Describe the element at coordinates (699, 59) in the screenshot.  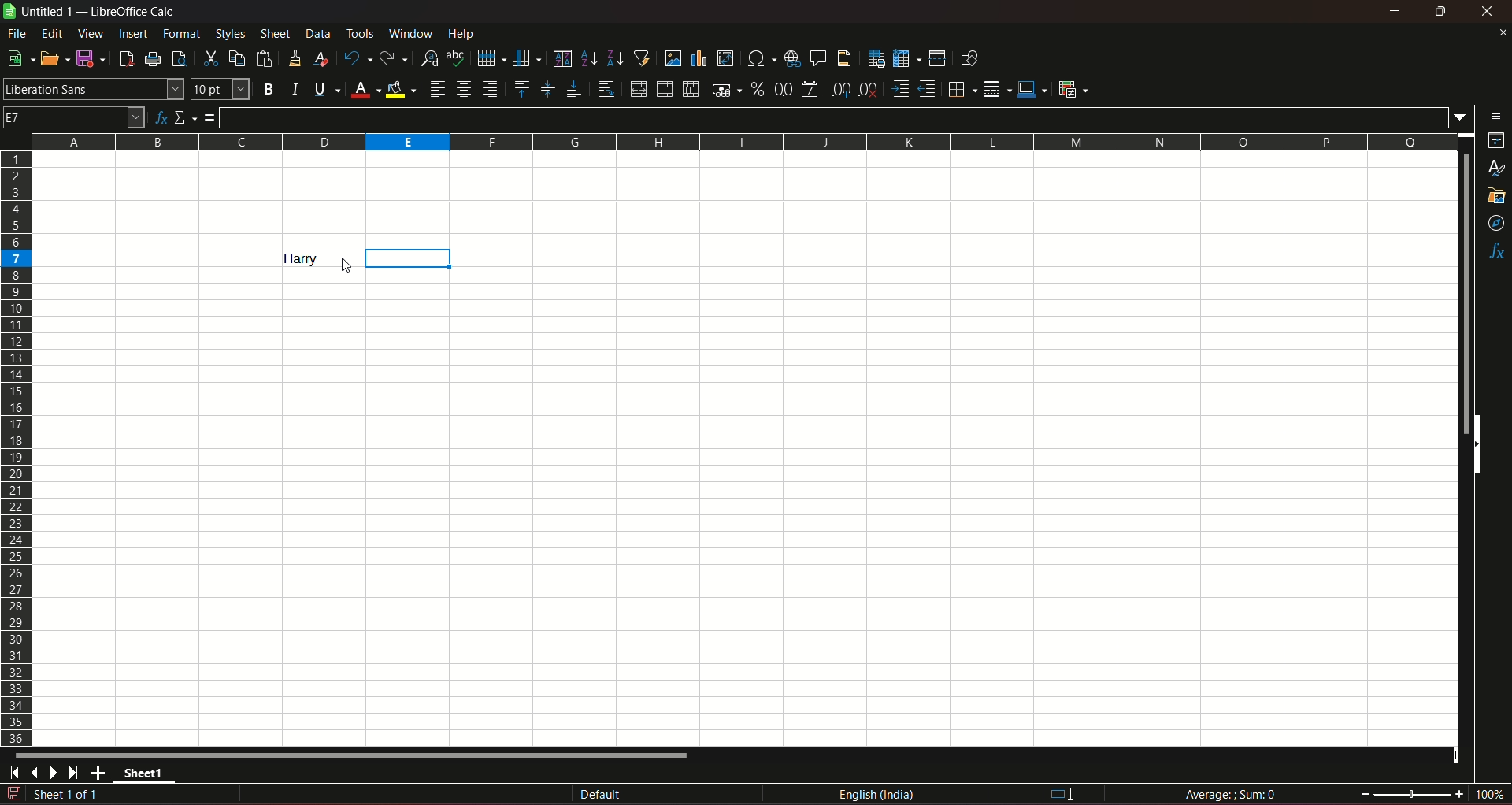
I see `insert chart` at that location.